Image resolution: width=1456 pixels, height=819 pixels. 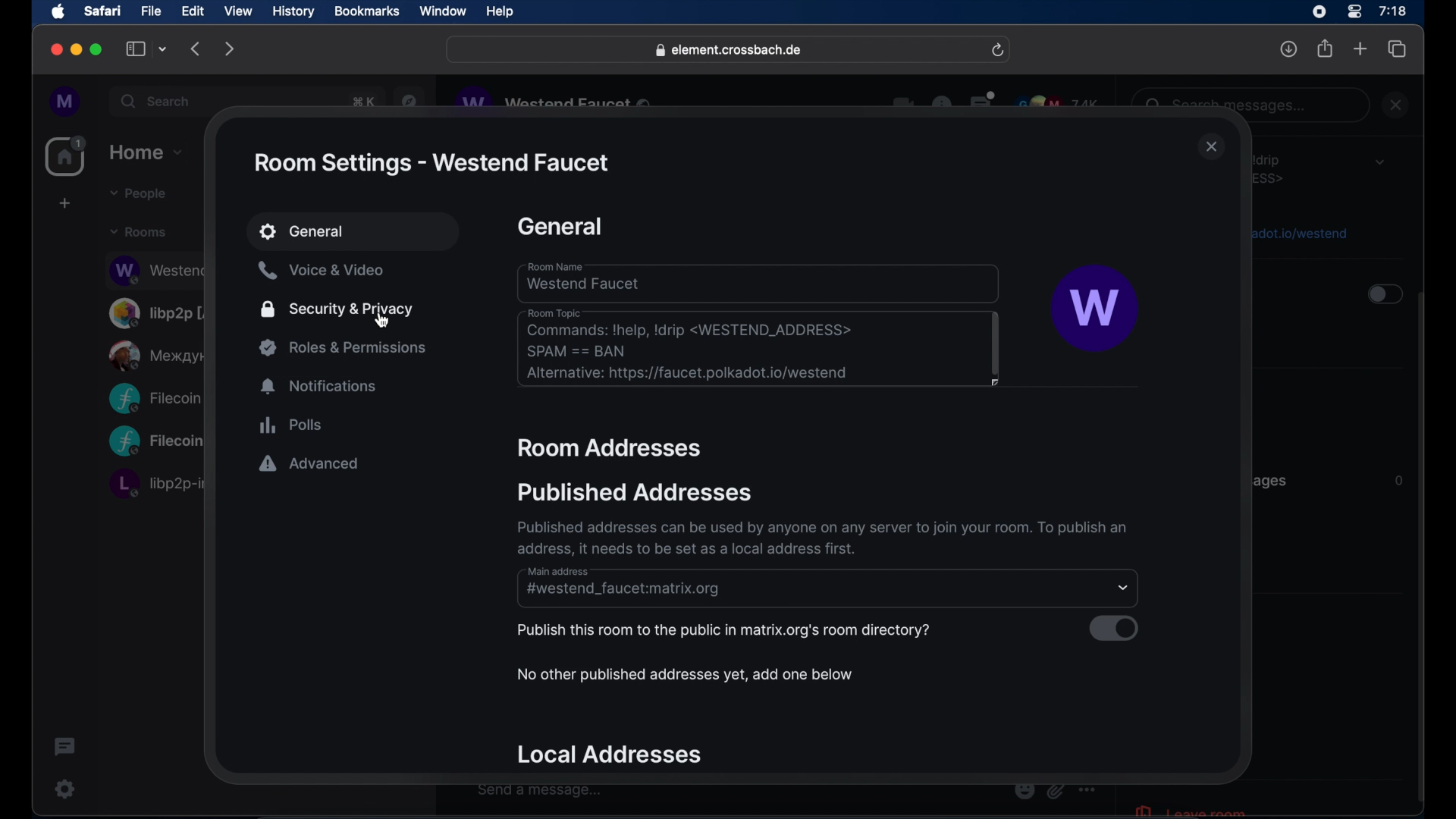 I want to click on obscure, so click(x=155, y=483).